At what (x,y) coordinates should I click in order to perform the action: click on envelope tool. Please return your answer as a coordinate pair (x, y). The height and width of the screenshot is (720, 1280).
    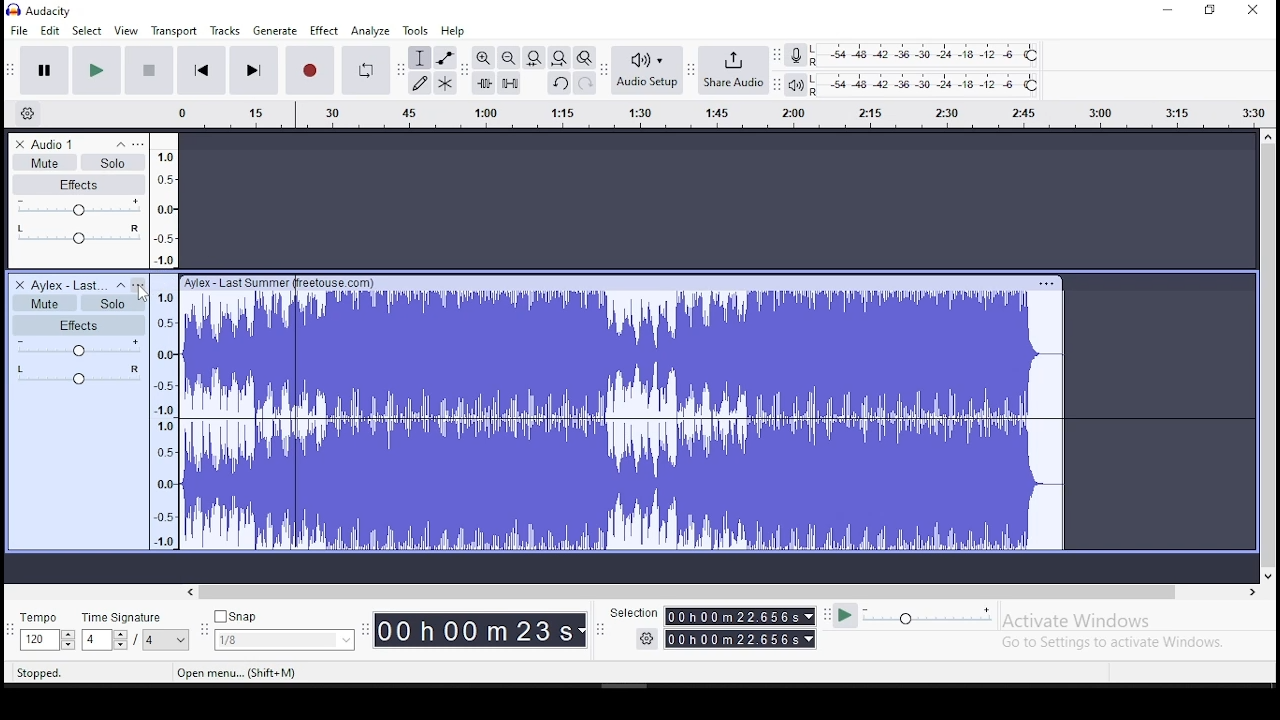
    Looking at the image, I should click on (444, 58).